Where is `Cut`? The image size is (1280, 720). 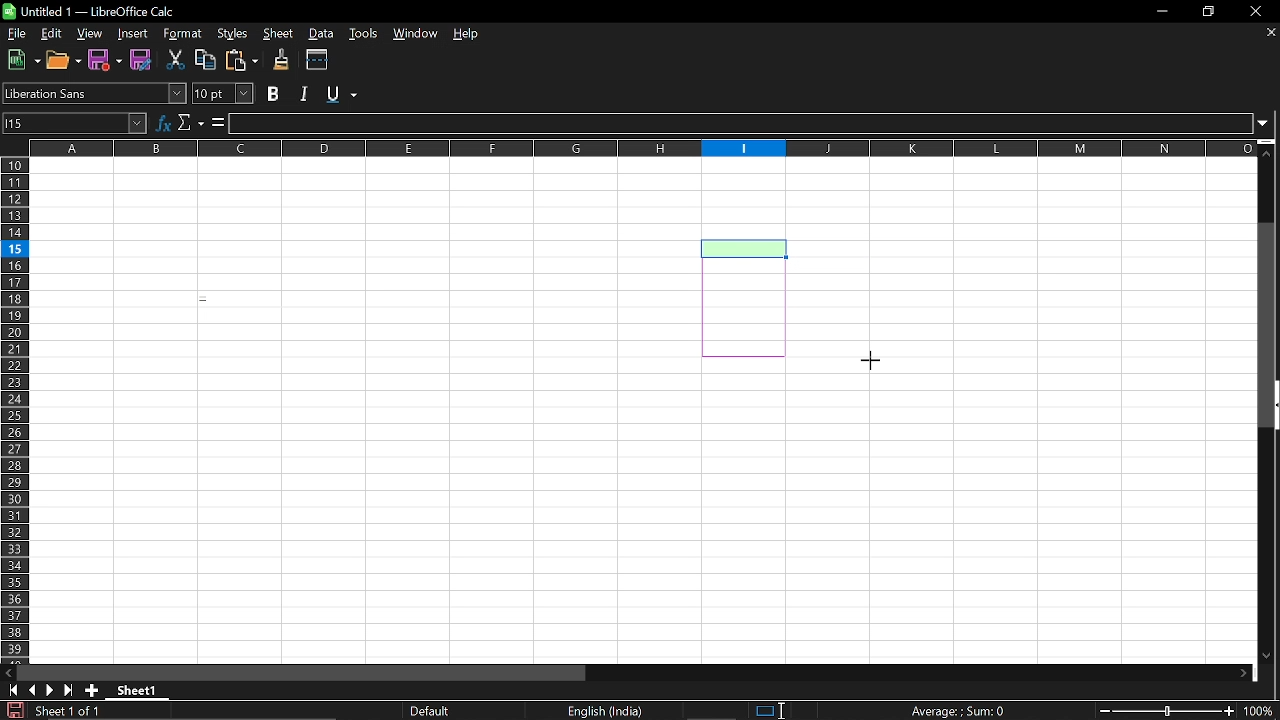
Cut is located at coordinates (176, 62).